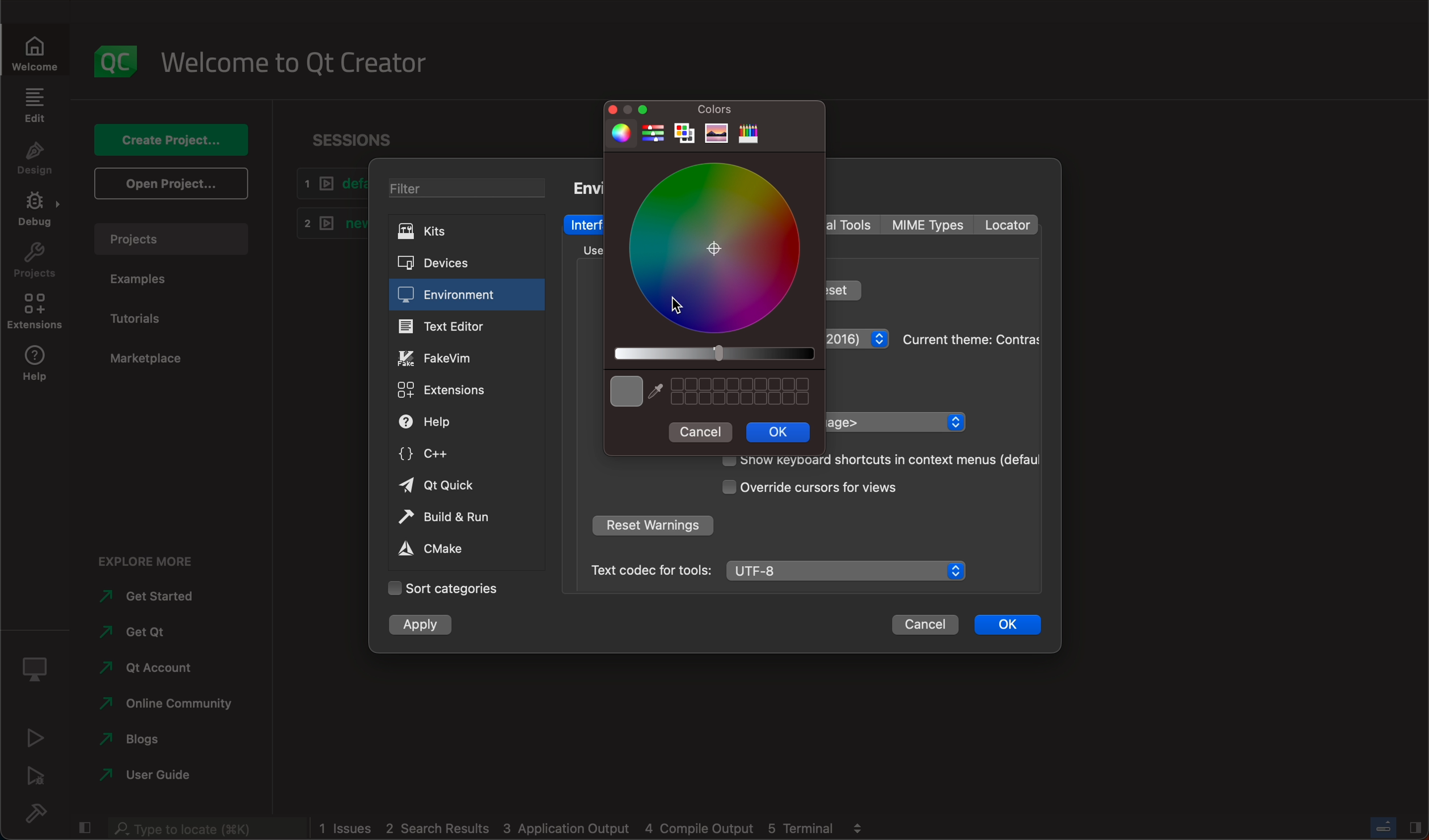 The image size is (1429, 840). What do you see at coordinates (831, 487) in the screenshot?
I see `cursor` at bounding box center [831, 487].